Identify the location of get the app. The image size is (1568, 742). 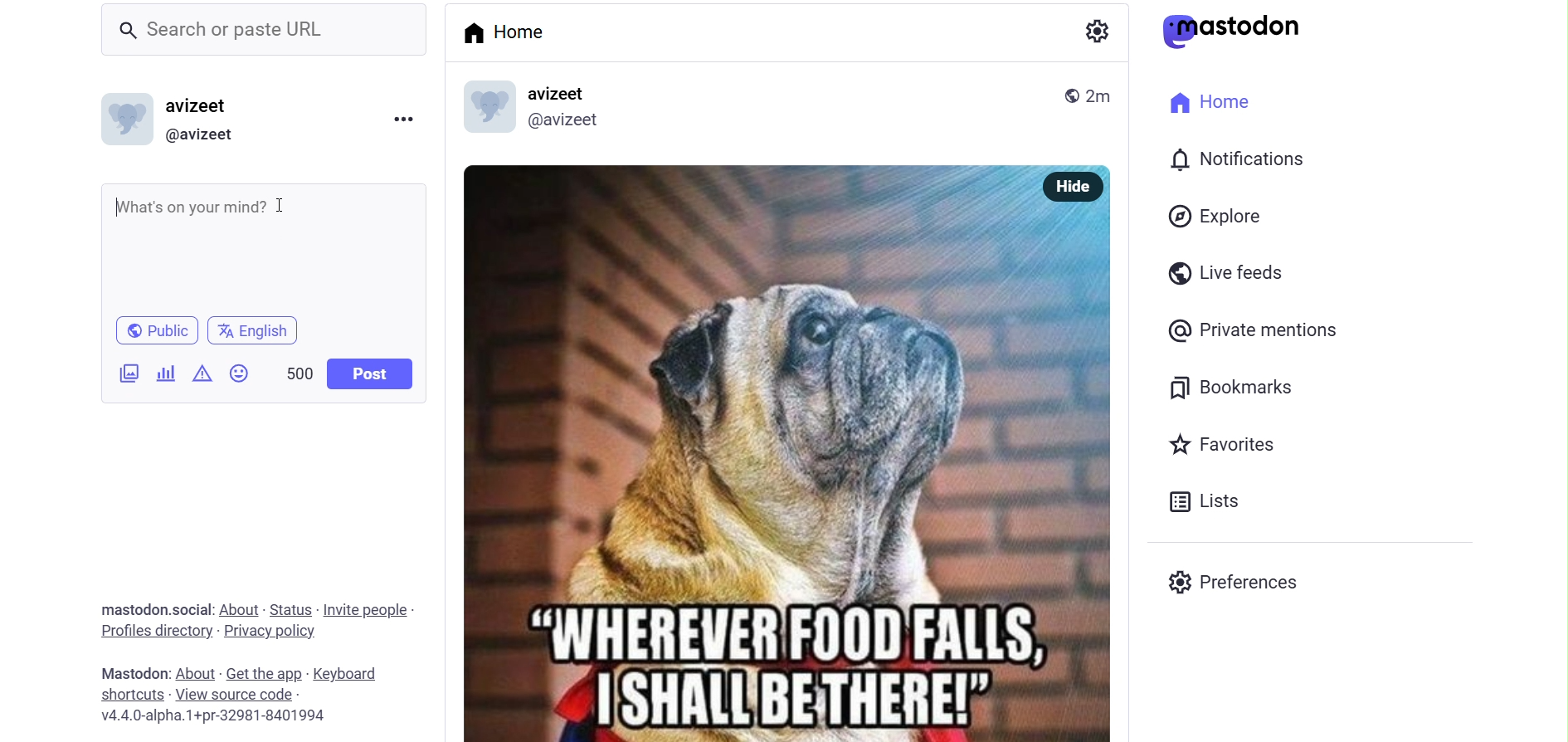
(261, 672).